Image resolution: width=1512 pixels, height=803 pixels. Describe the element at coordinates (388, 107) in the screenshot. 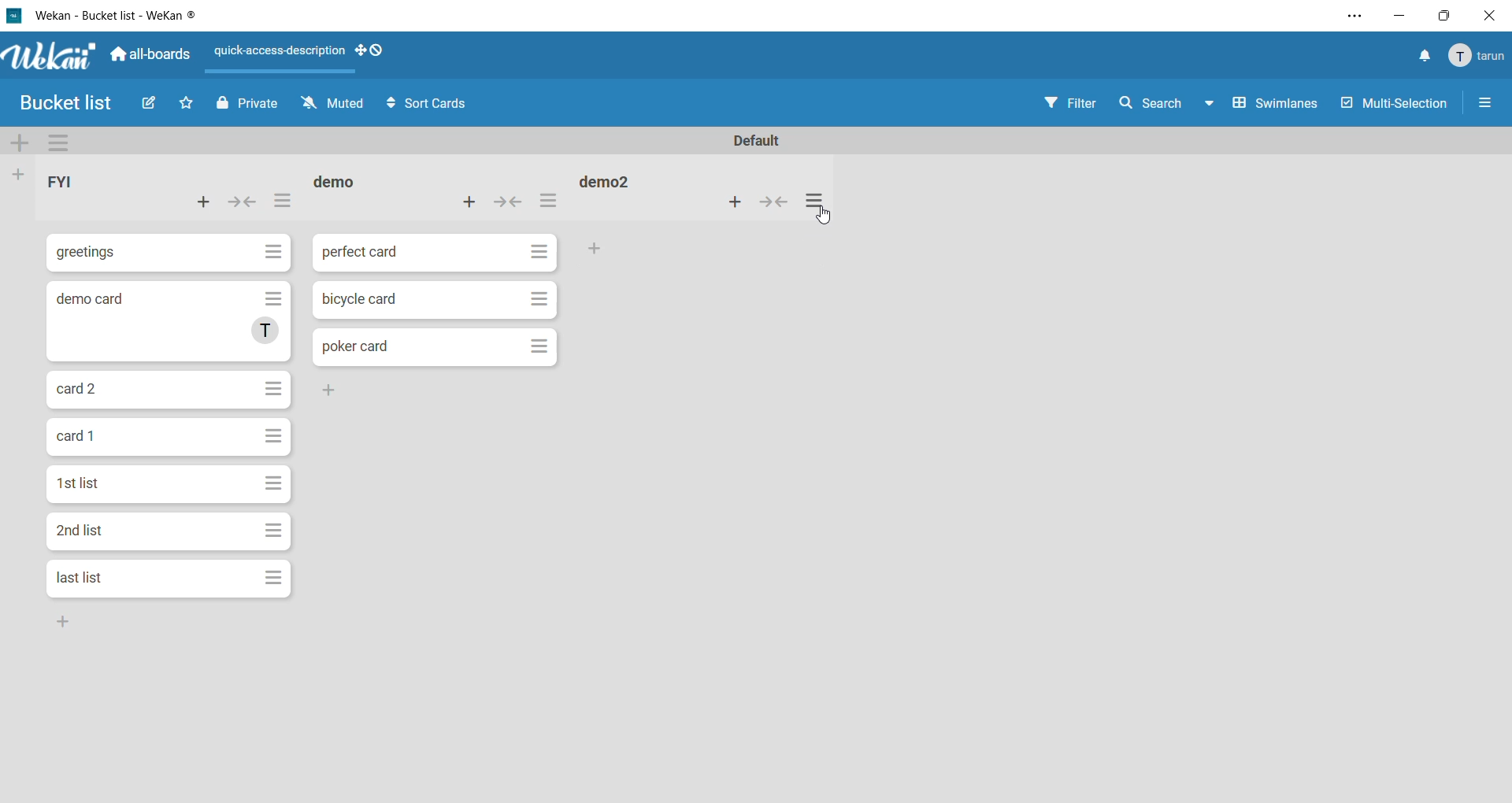

I see `Arrows` at that location.